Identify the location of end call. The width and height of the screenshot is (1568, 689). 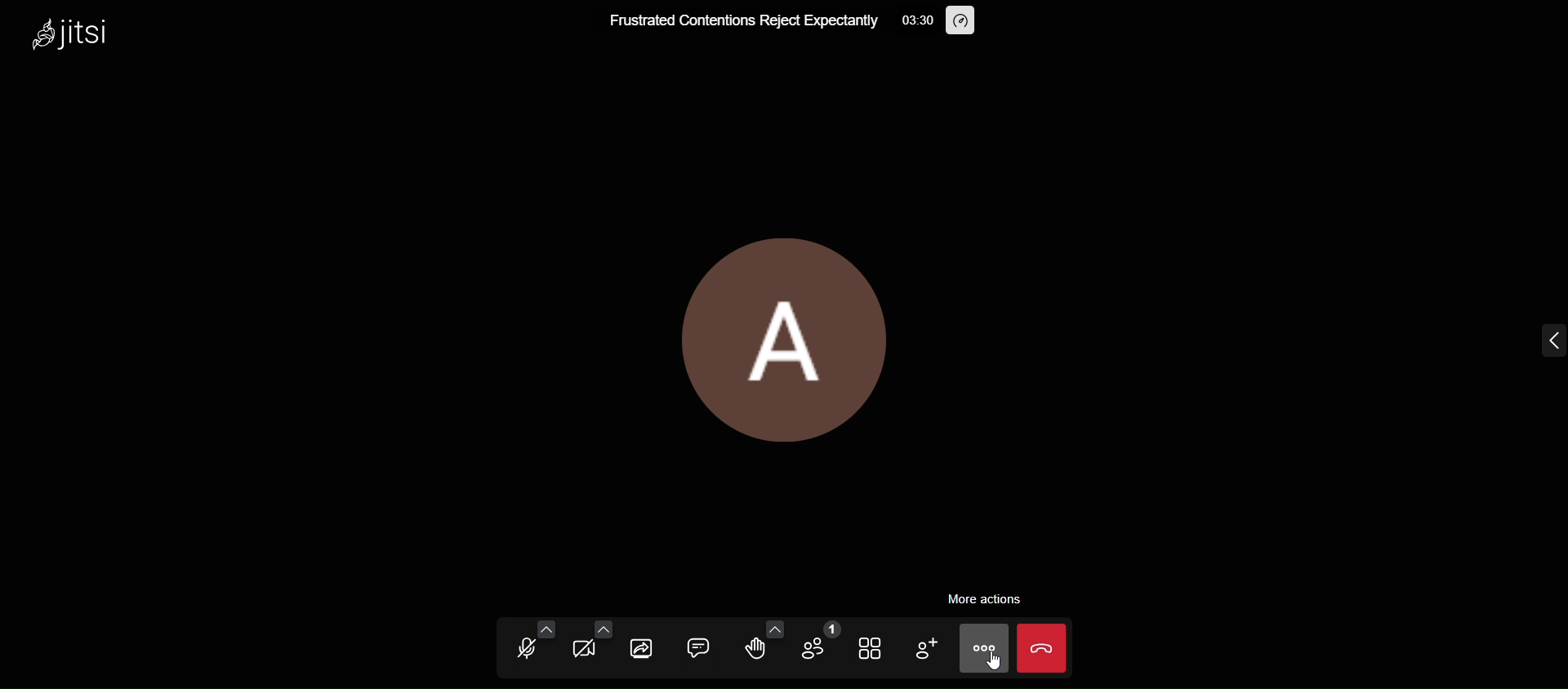
(1047, 648).